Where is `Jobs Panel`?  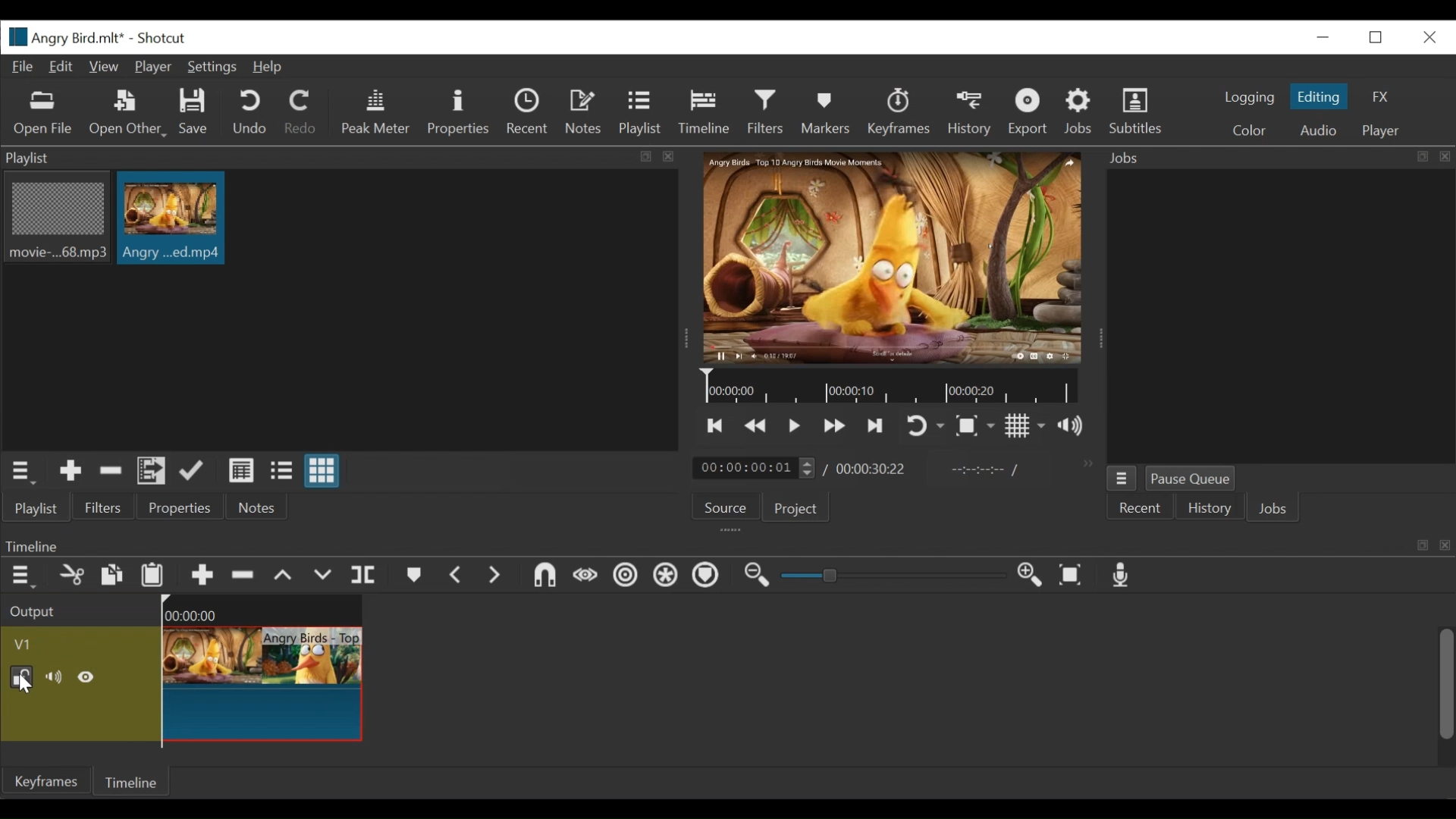
Jobs Panel is located at coordinates (1280, 318).